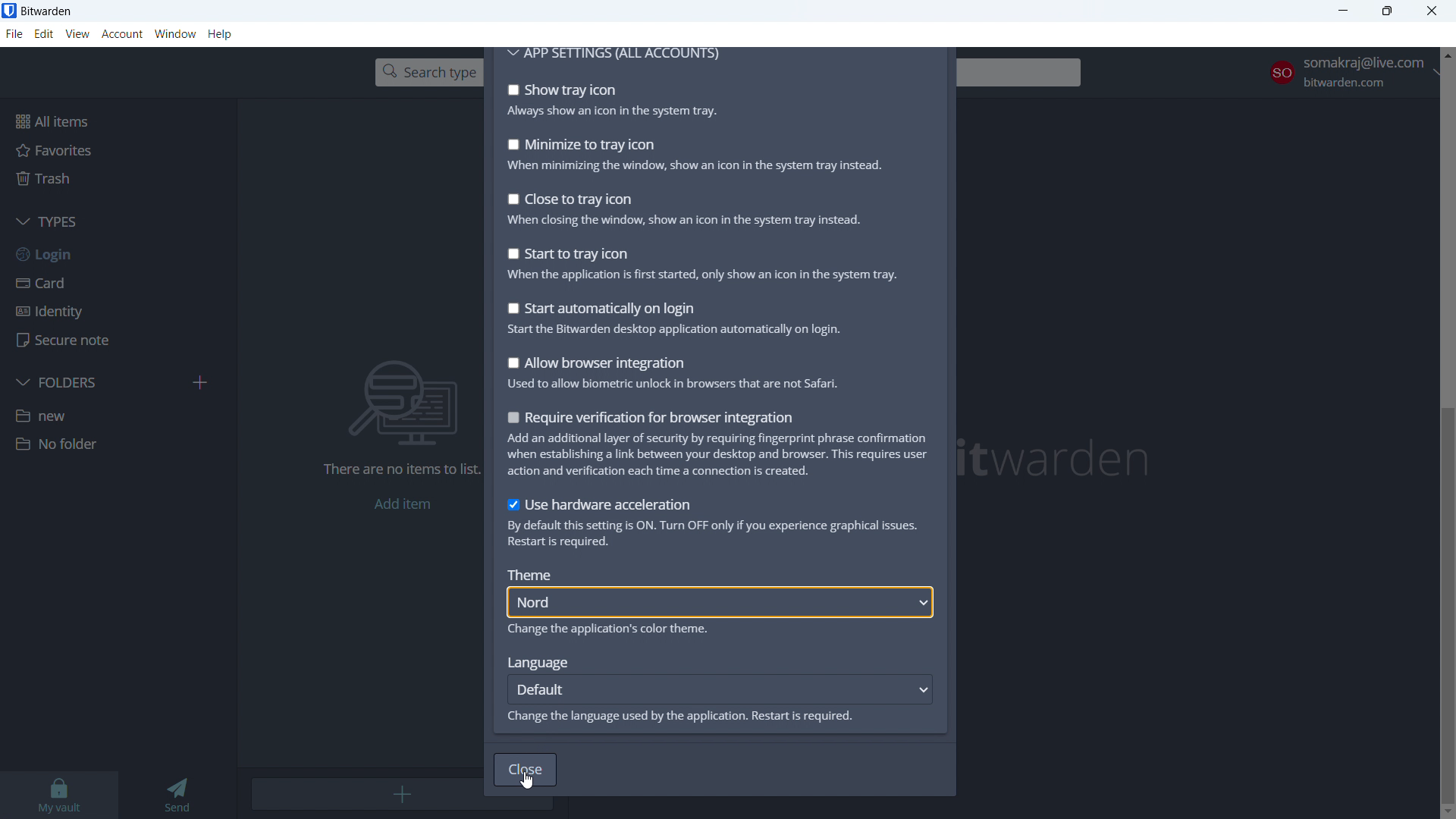 The width and height of the screenshot is (1456, 819). I want to click on maximize, so click(1387, 11).